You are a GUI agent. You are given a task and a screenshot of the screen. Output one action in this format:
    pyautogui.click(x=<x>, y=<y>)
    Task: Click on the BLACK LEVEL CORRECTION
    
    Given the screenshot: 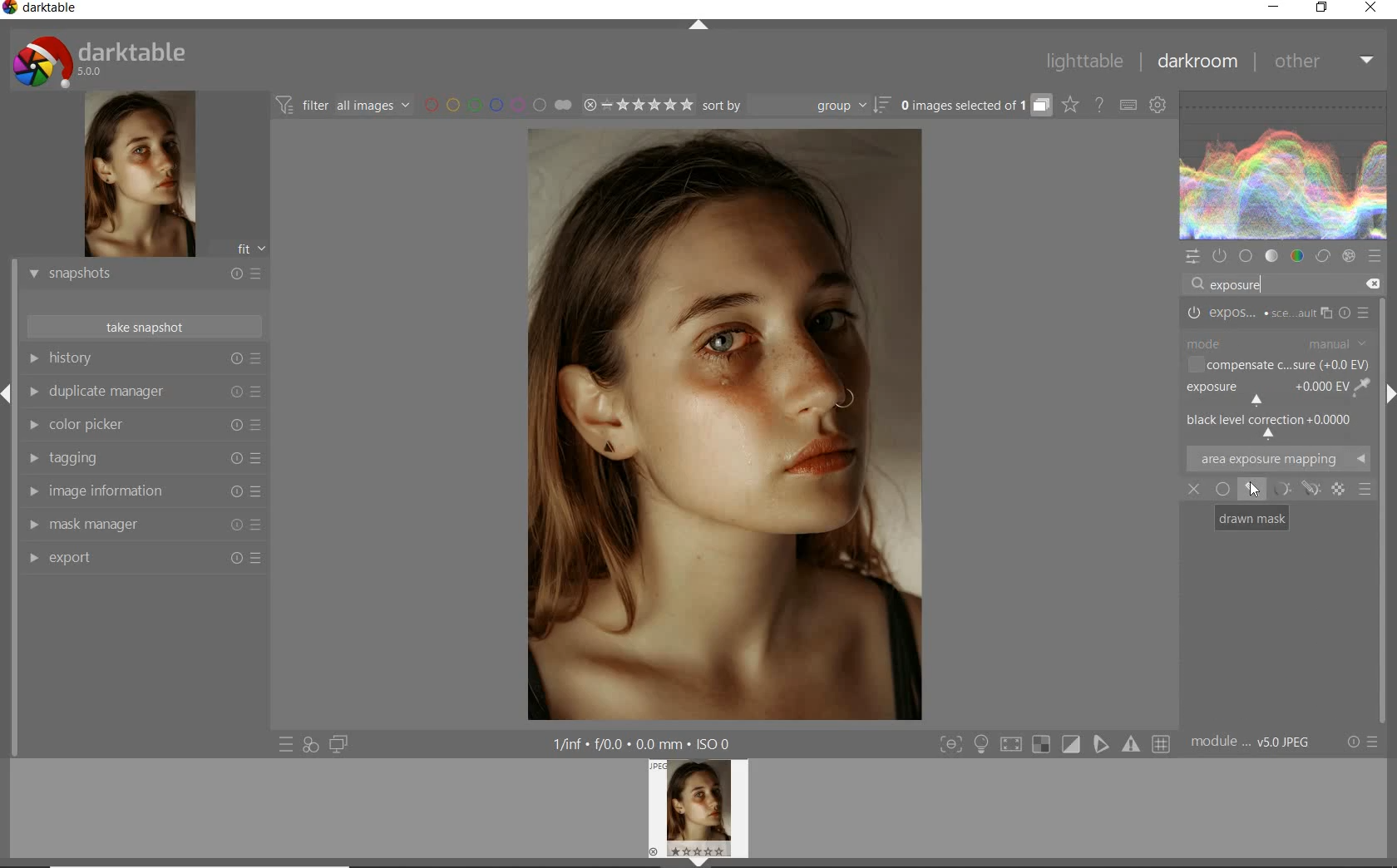 What is the action you would take?
    pyautogui.click(x=1272, y=426)
    